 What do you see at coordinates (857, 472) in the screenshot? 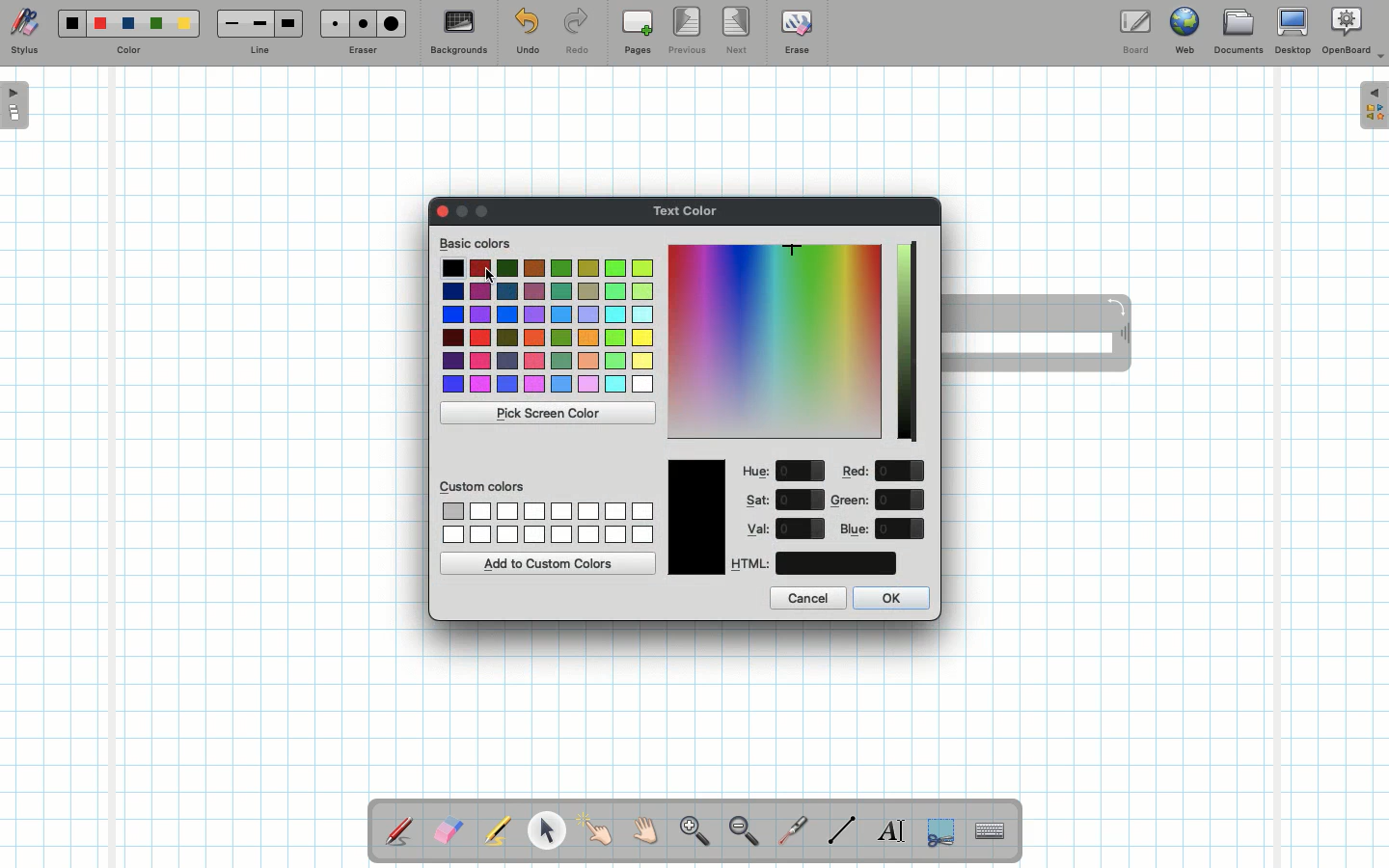
I see `Red` at bounding box center [857, 472].